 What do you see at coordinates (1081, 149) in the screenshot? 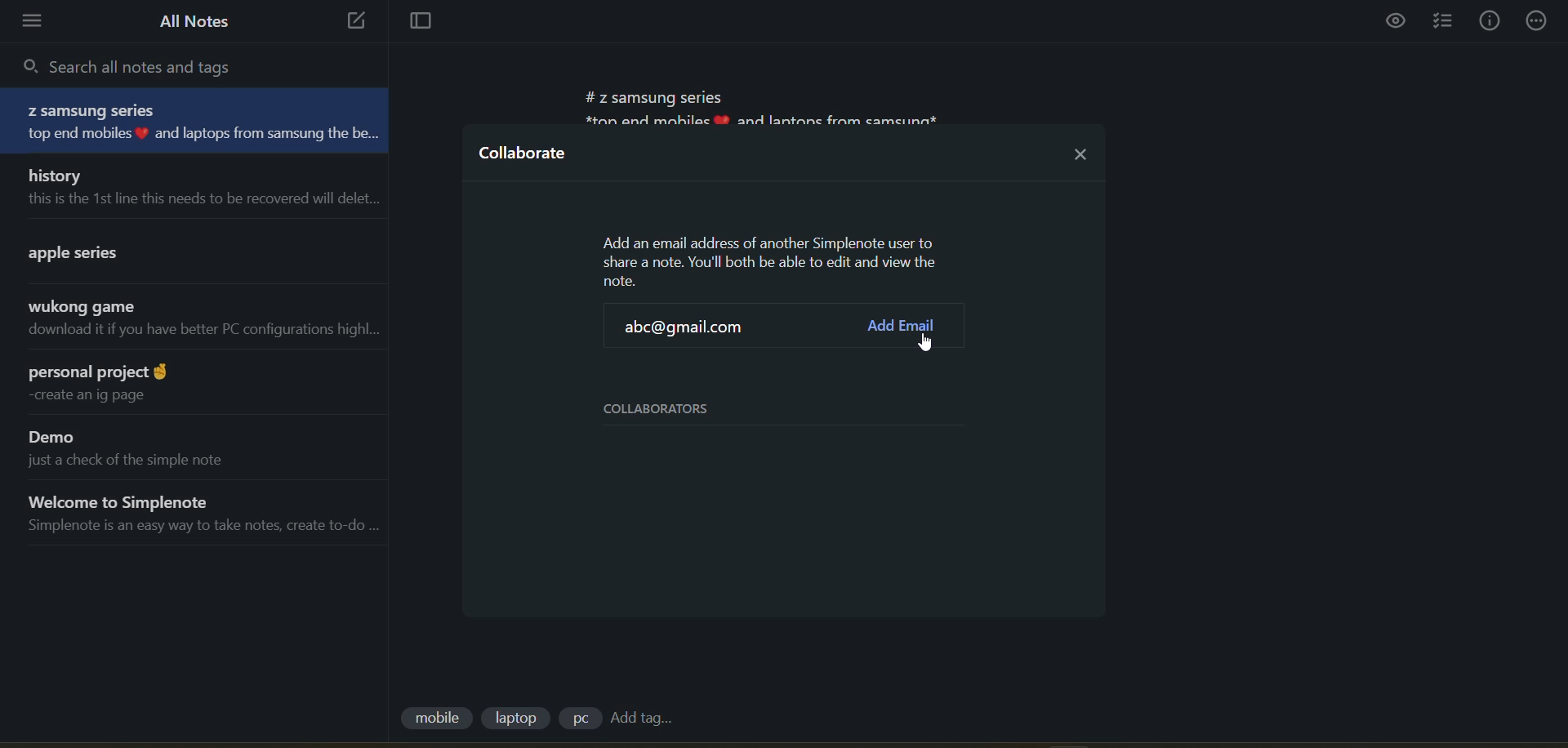
I see `close` at bounding box center [1081, 149].